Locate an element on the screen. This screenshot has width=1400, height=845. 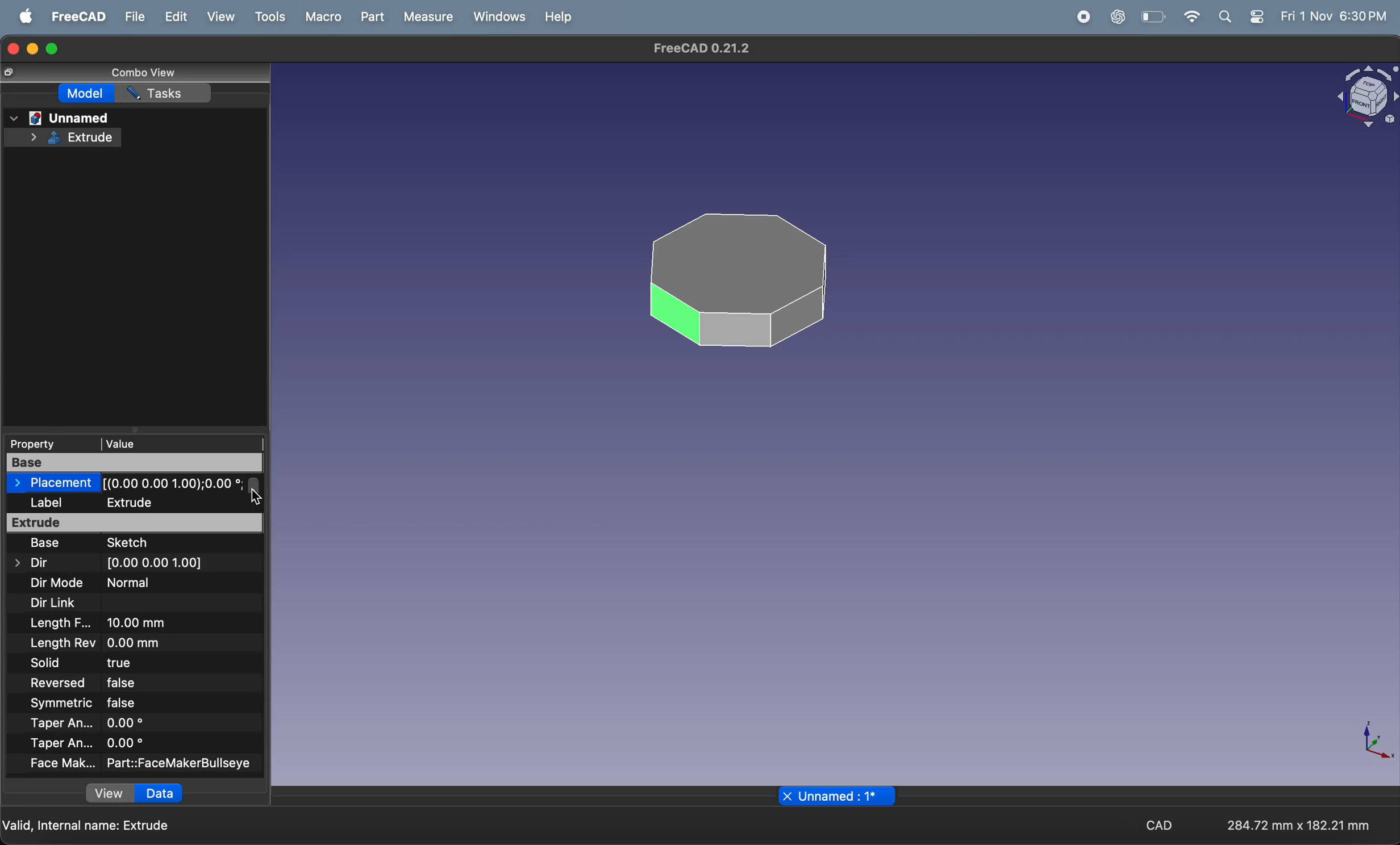
minimize is located at coordinates (33, 49).